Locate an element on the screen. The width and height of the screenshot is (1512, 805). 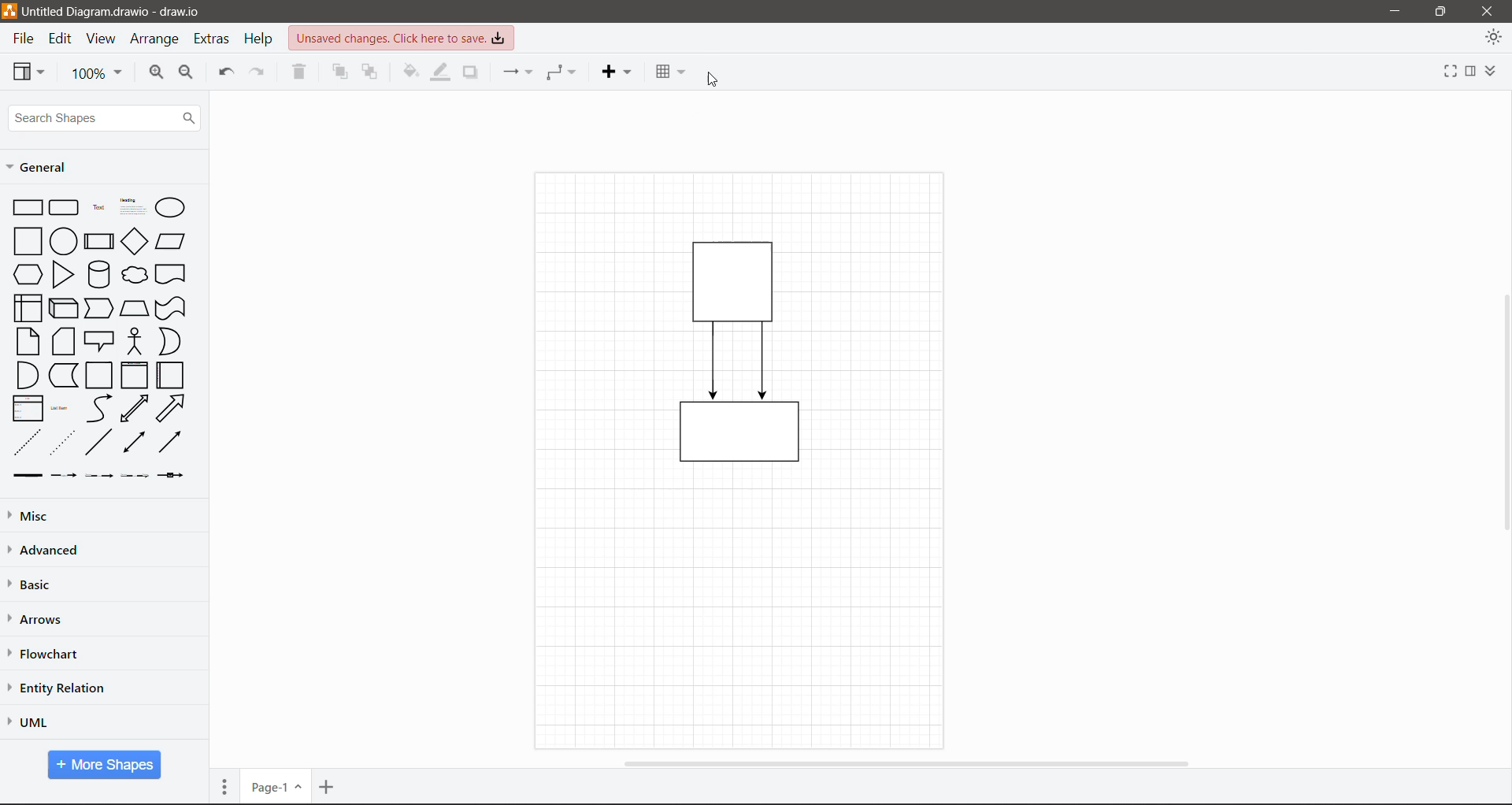
Insert Page is located at coordinates (328, 787).